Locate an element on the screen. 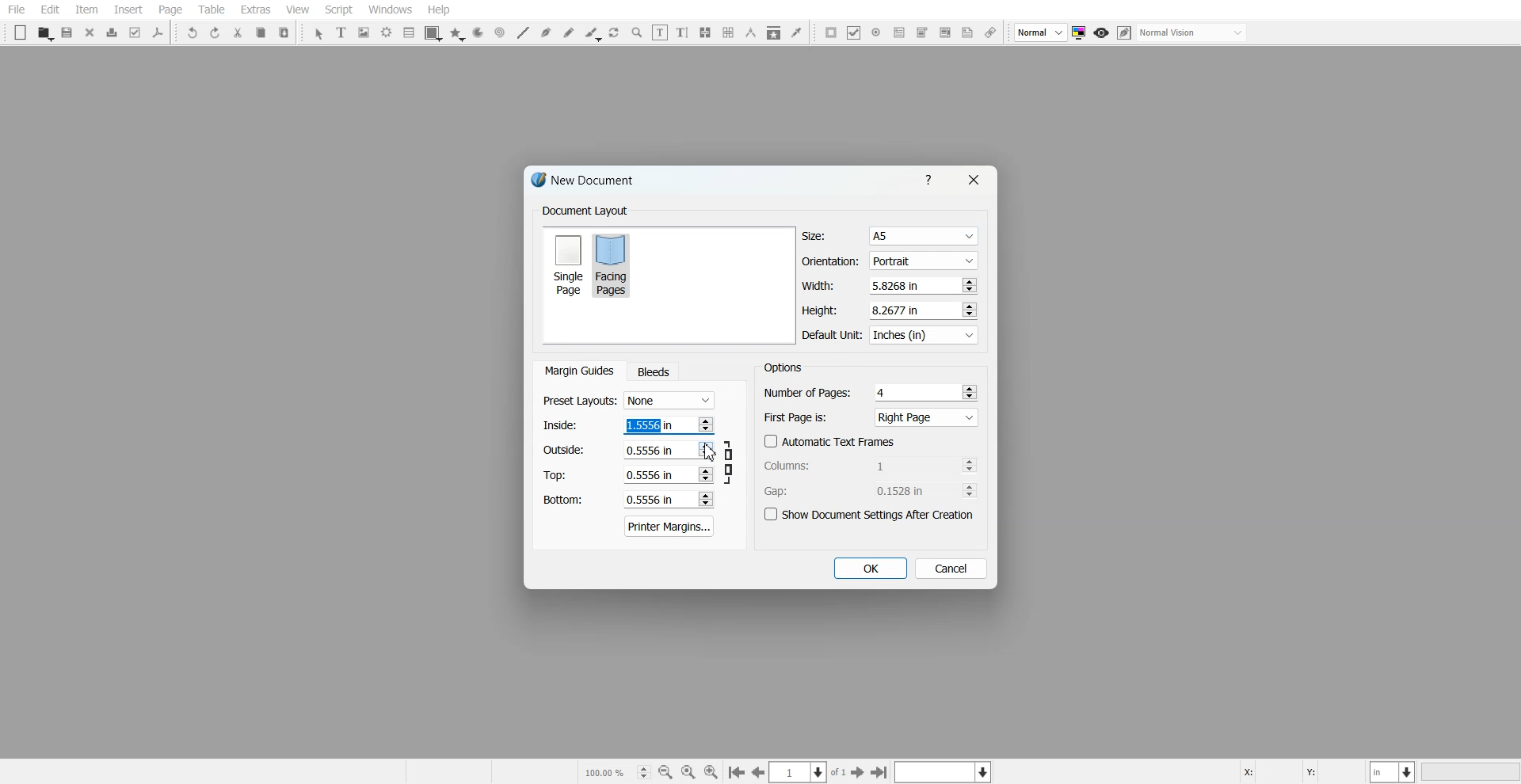 Image resolution: width=1521 pixels, height=784 pixels. Table is located at coordinates (211, 10).